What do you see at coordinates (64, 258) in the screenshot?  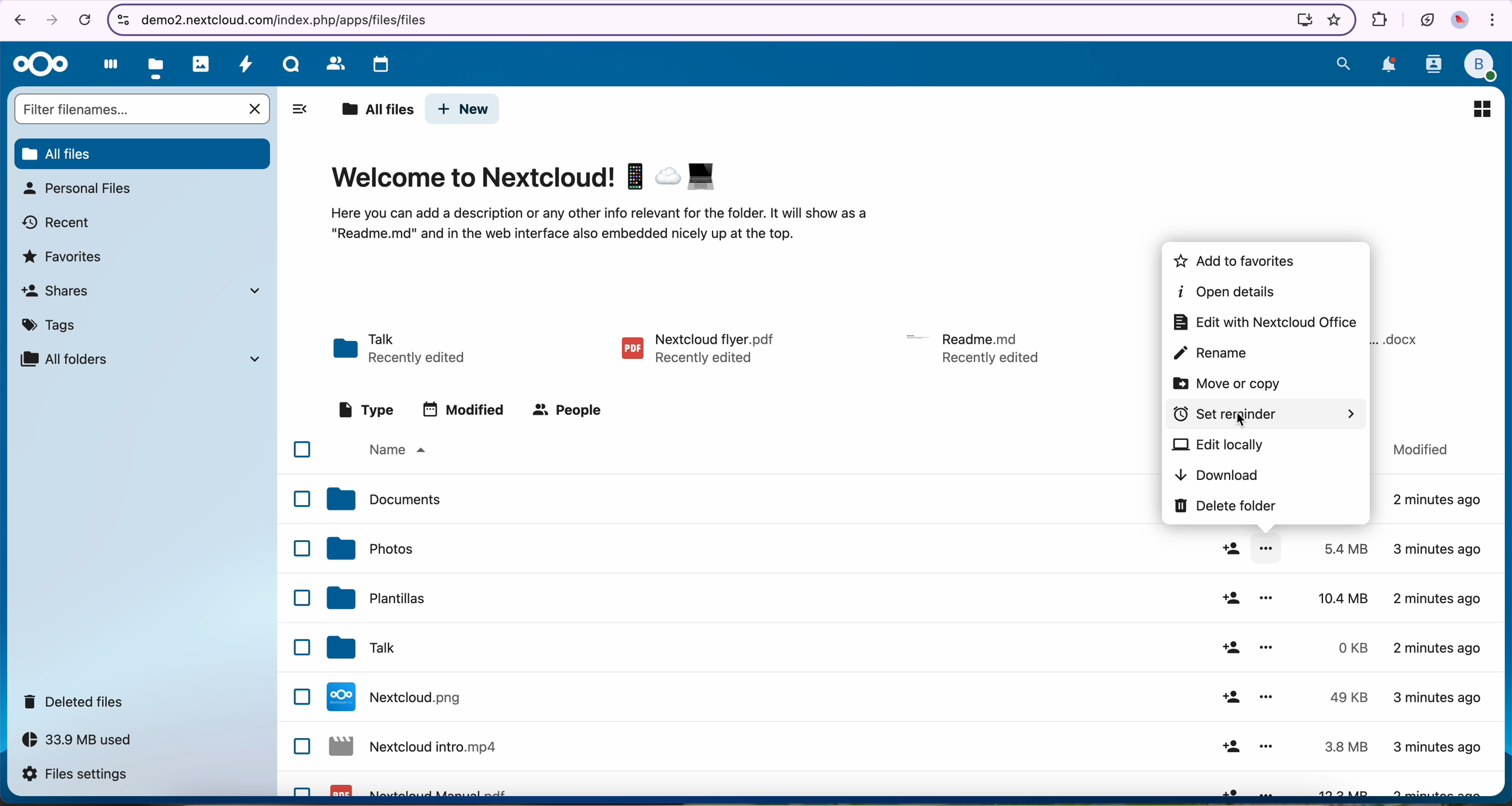 I see `favorites` at bounding box center [64, 258].